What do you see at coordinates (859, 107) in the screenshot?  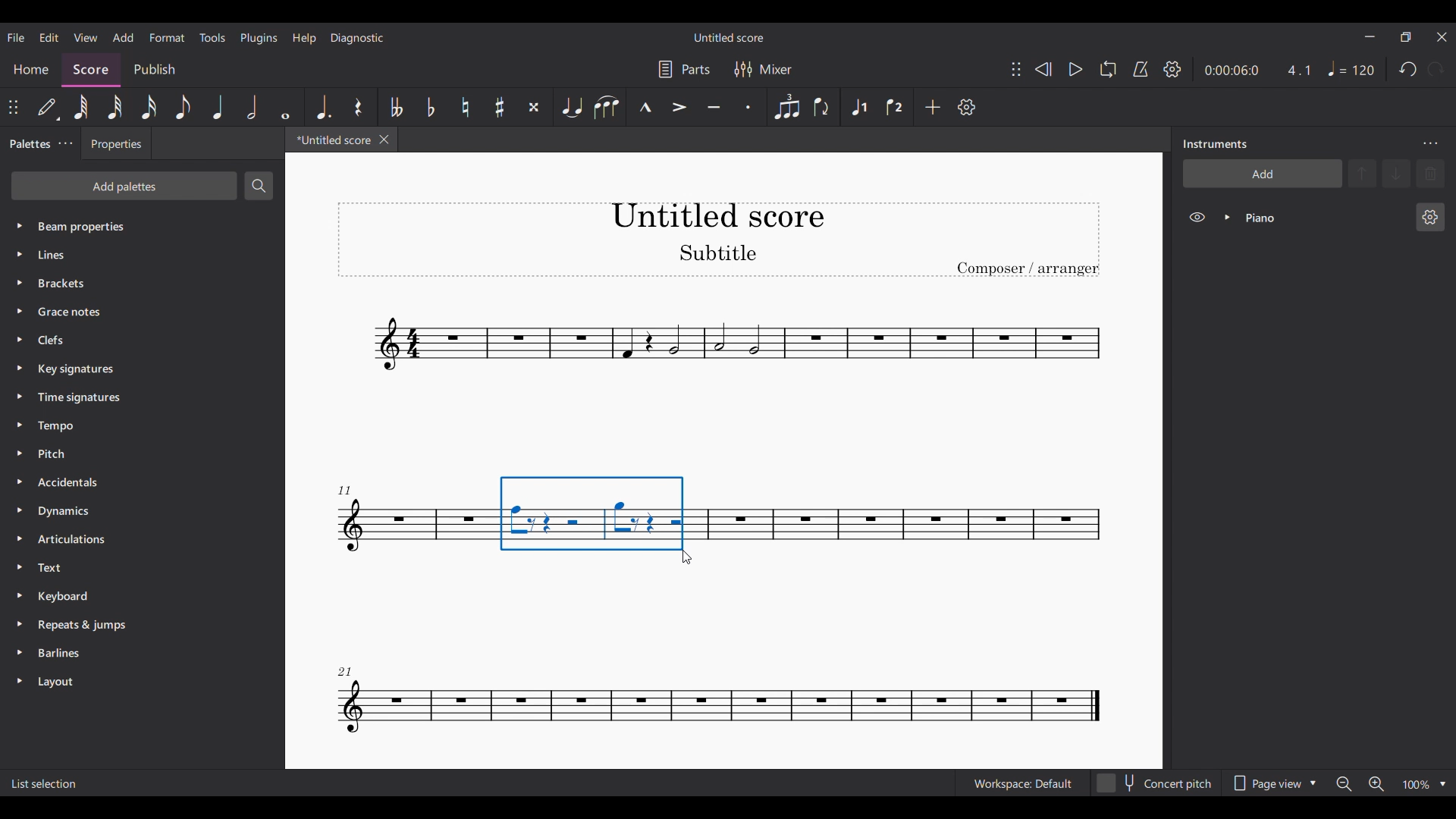 I see `Voice 1` at bounding box center [859, 107].